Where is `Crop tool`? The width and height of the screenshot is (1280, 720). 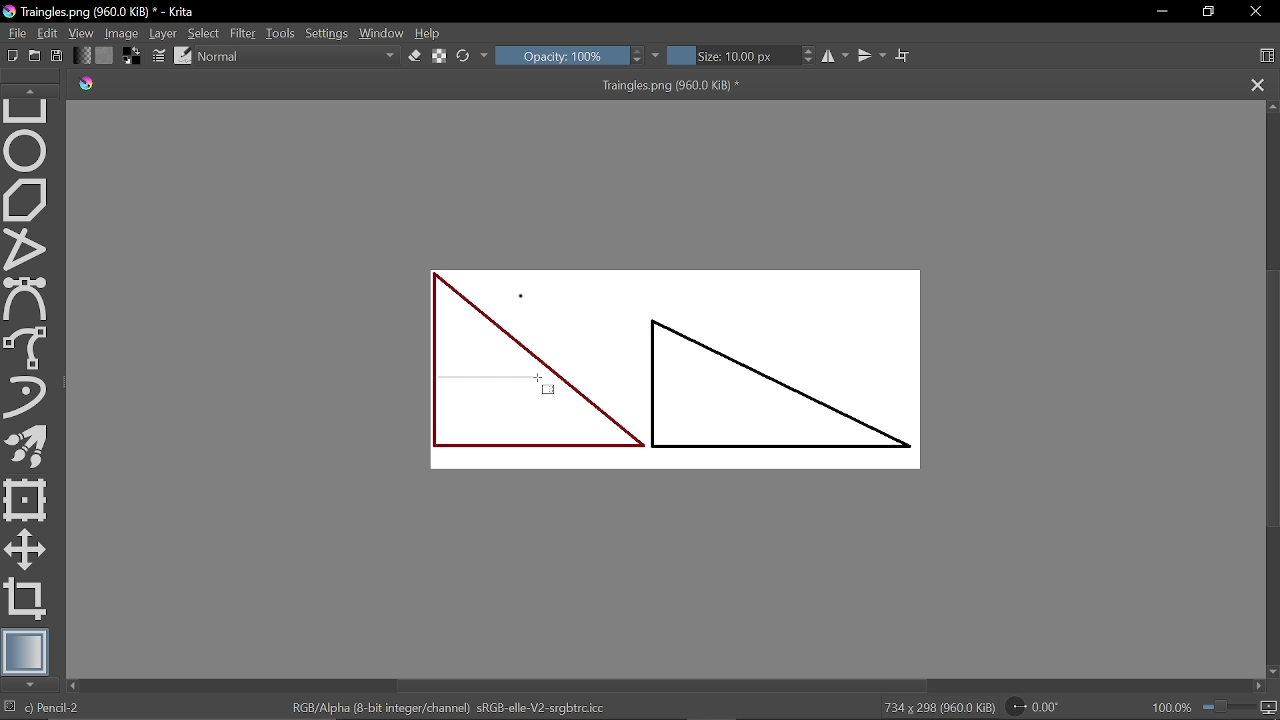 Crop tool is located at coordinates (27, 600).